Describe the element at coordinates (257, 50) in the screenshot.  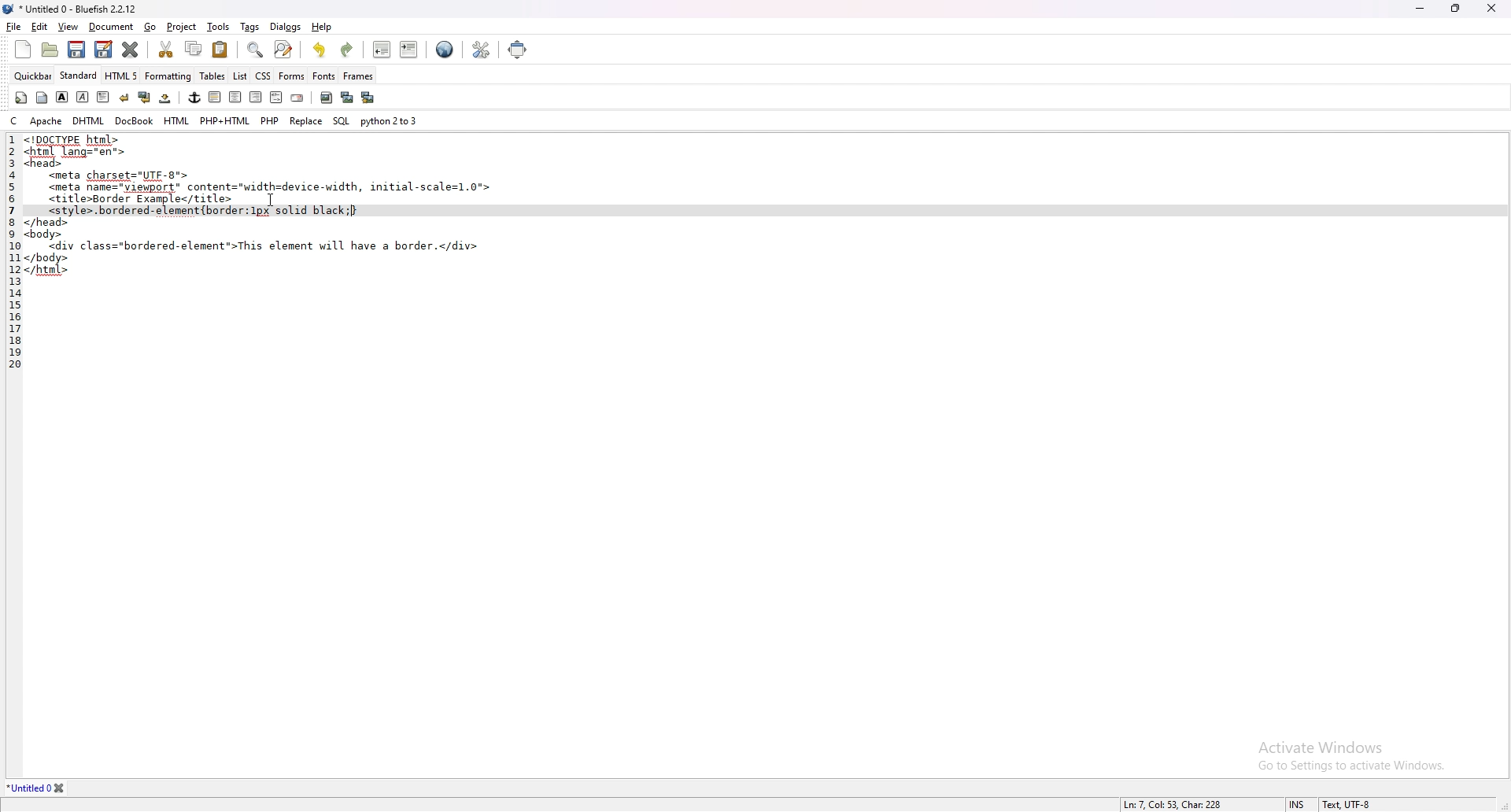
I see `show find bar` at that location.